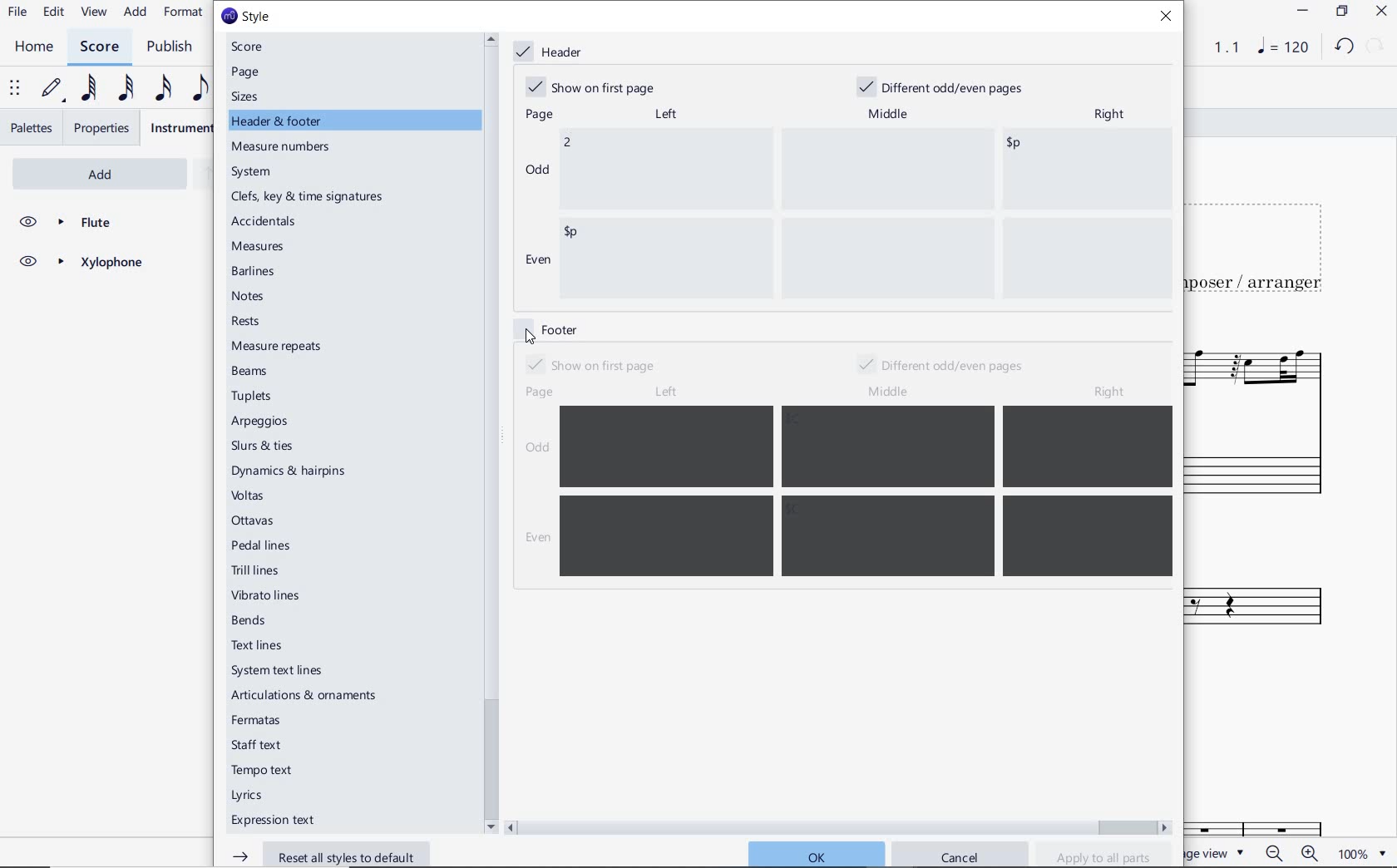 Image resolution: width=1397 pixels, height=868 pixels. What do you see at coordinates (1217, 47) in the screenshot?
I see `PLAY TIME` at bounding box center [1217, 47].